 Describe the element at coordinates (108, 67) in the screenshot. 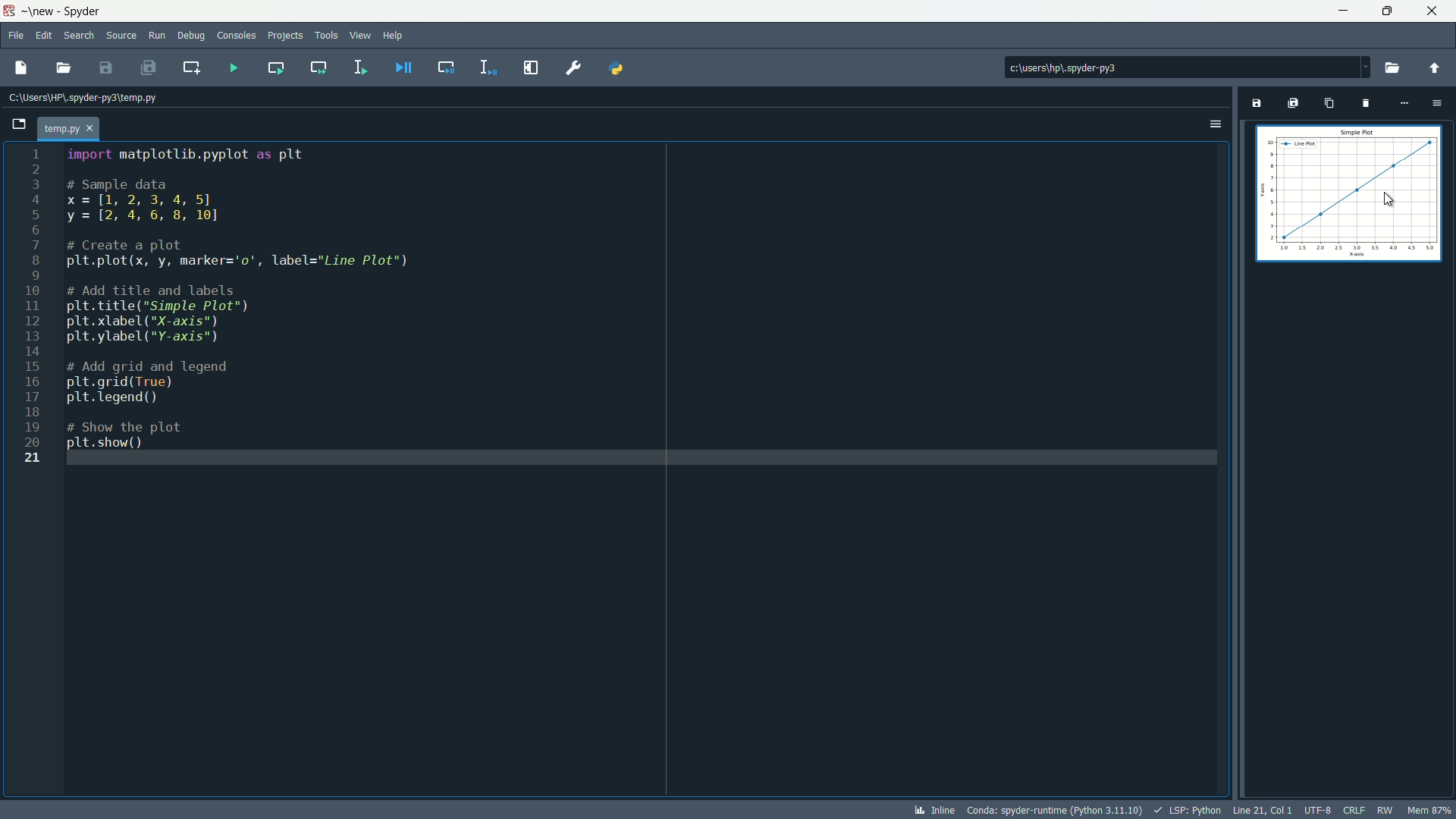

I see `save file` at that location.